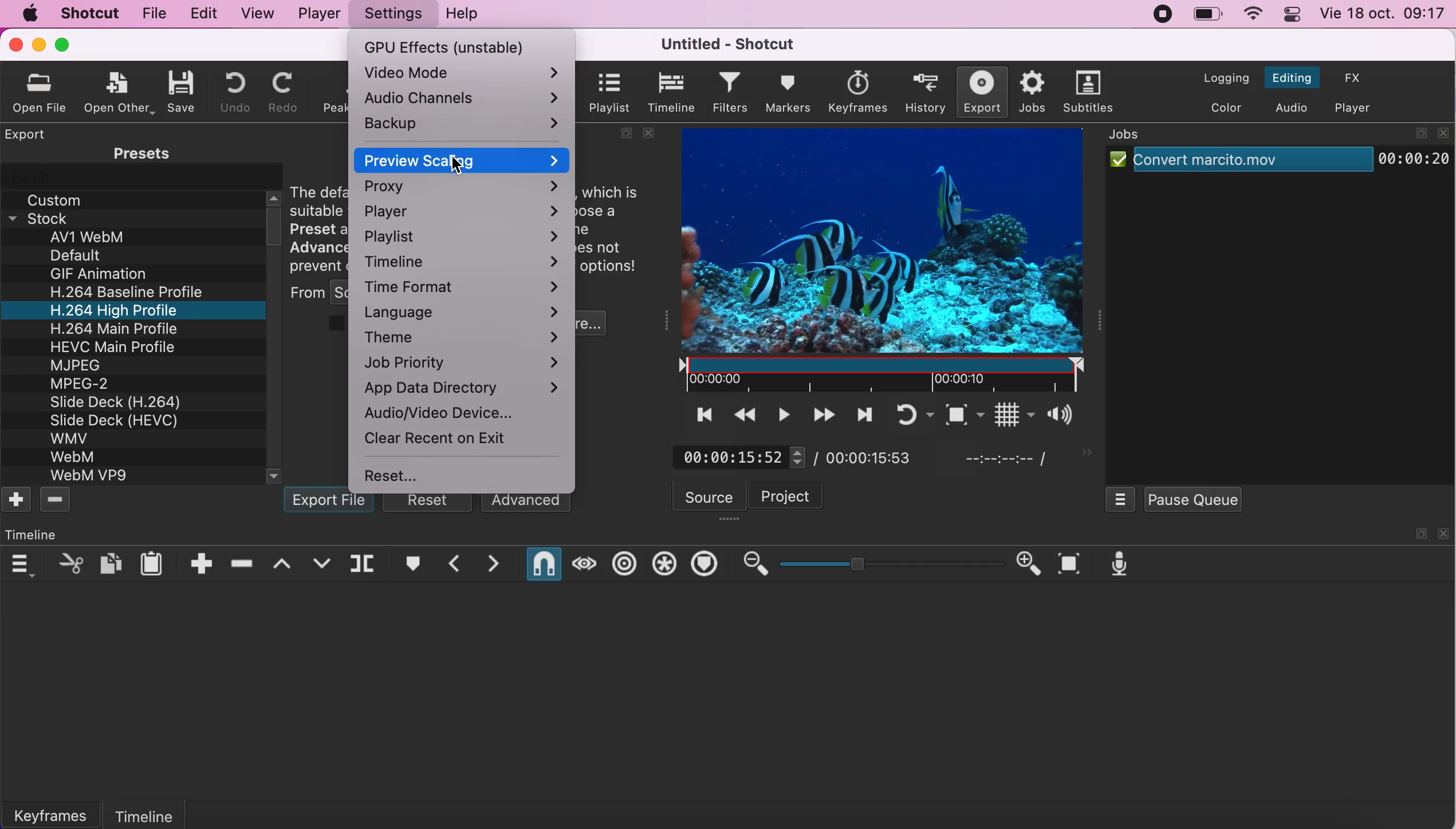  Describe the element at coordinates (65, 563) in the screenshot. I see `cut` at that location.